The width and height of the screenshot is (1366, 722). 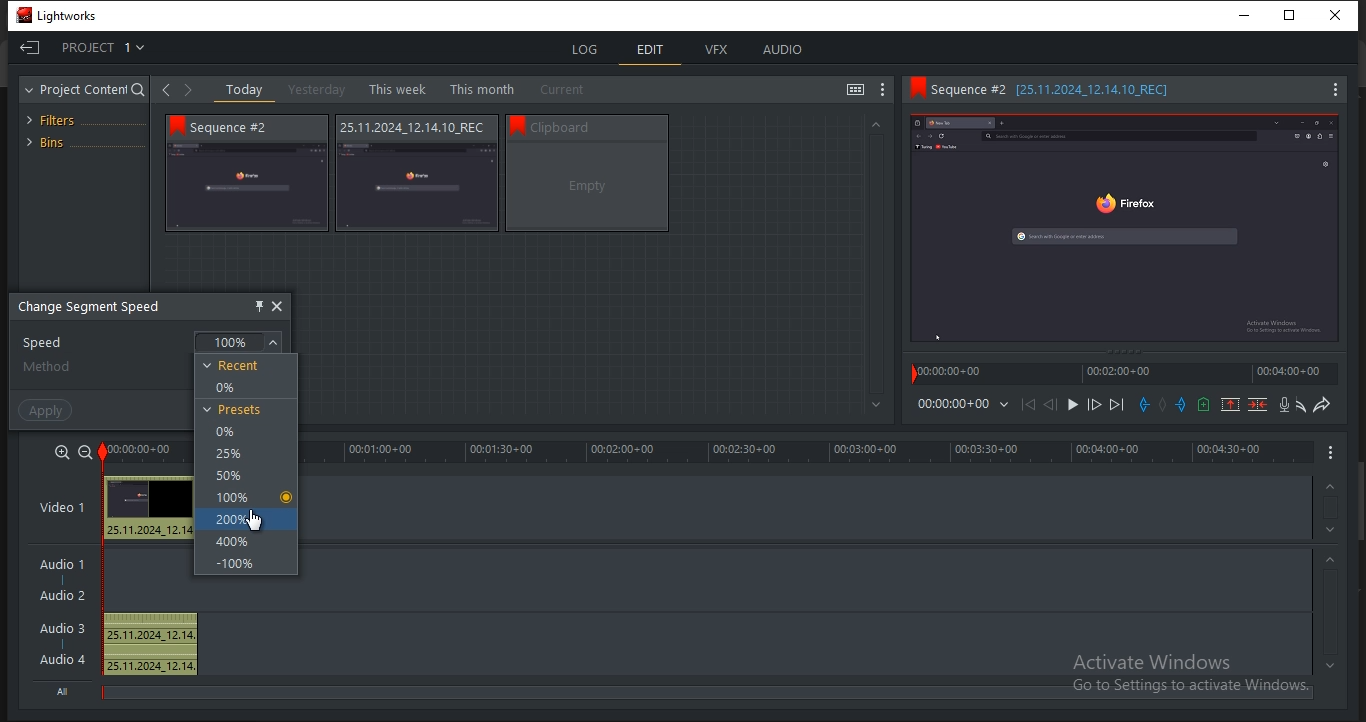 I want to click on Play, so click(x=1072, y=406).